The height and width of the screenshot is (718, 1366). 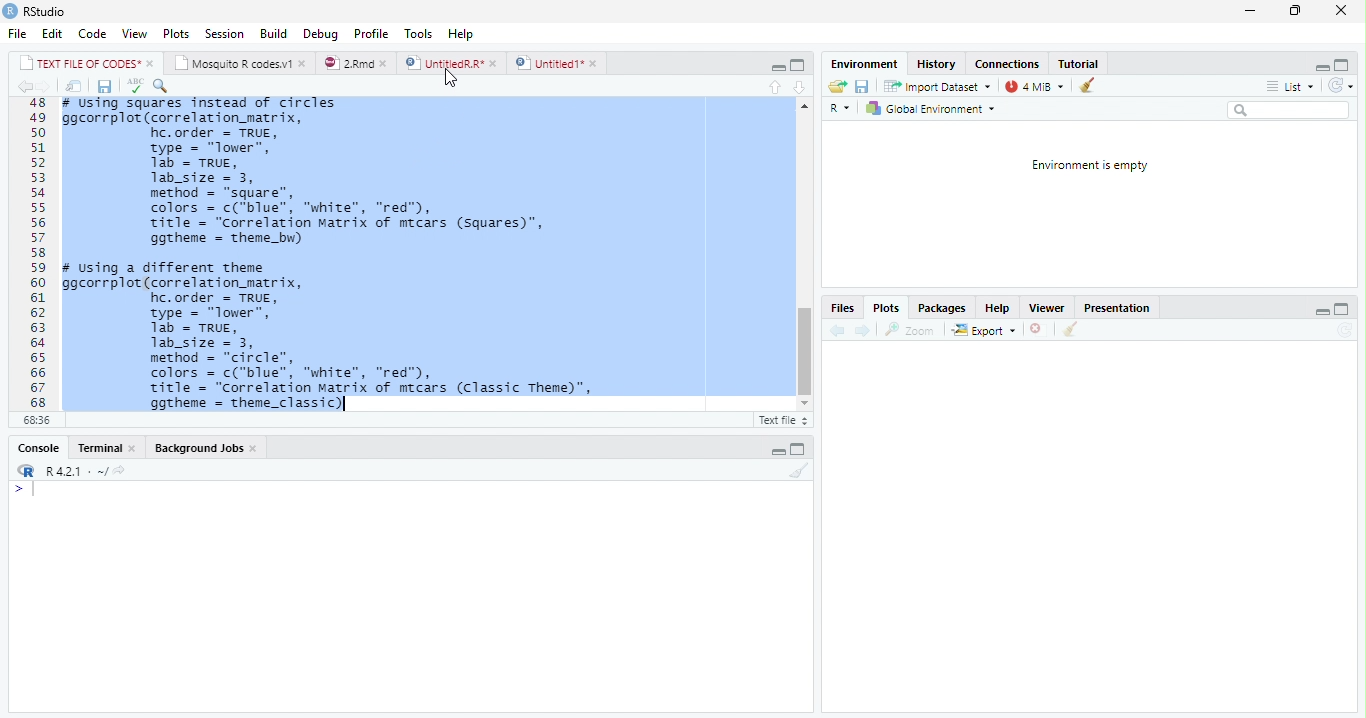 What do you see at coordinates (176, 34) in the screenshot?
I see `Plots` at bounding box center [176, 34].